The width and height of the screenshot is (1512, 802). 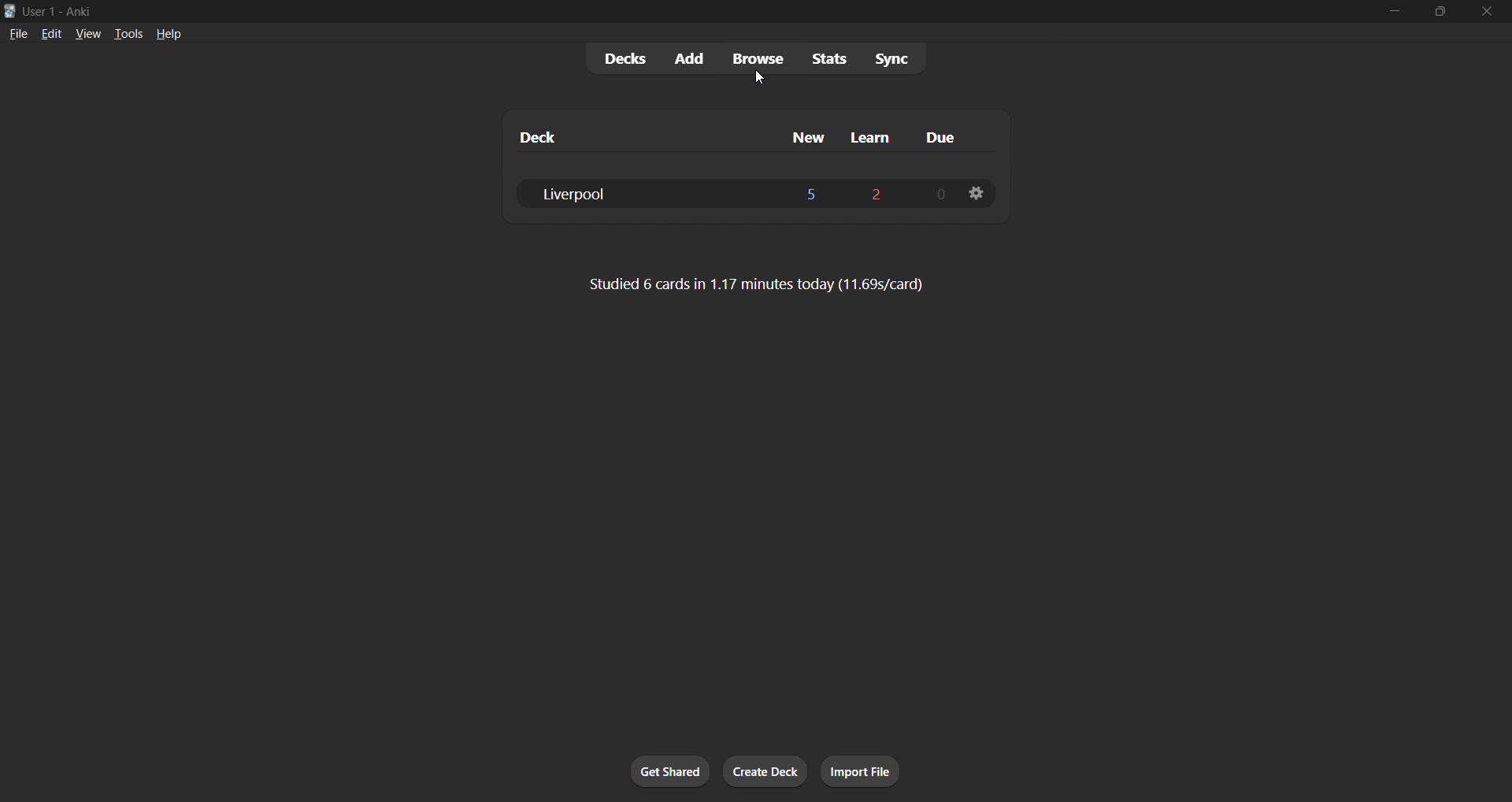 What do you see at coordinates (802, 135) in the screenshot?
I see `New` at bounding box center [802, 135].